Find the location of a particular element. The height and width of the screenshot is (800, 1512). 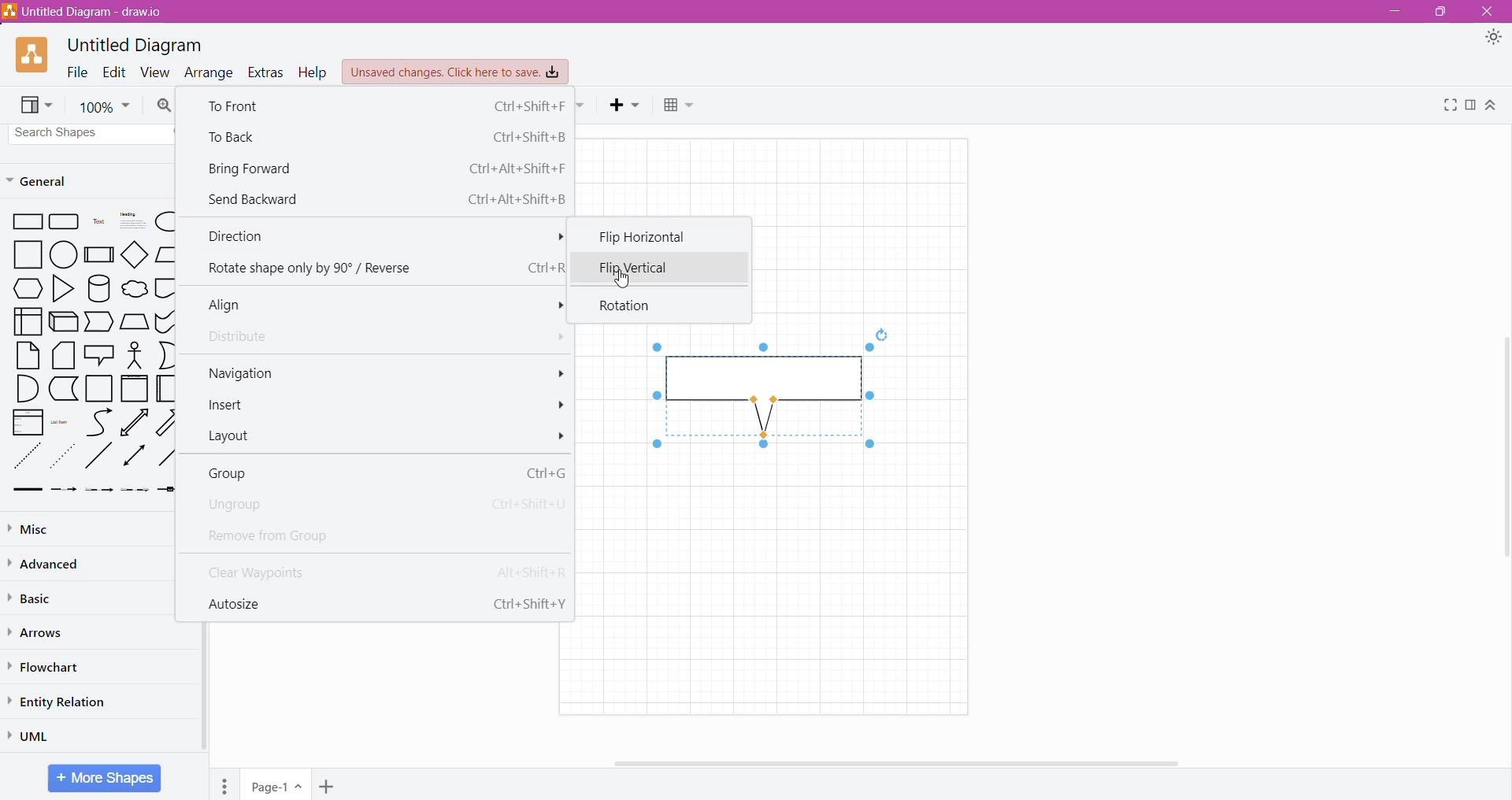

Quarter Circle  is located at coordinates (26, 388).